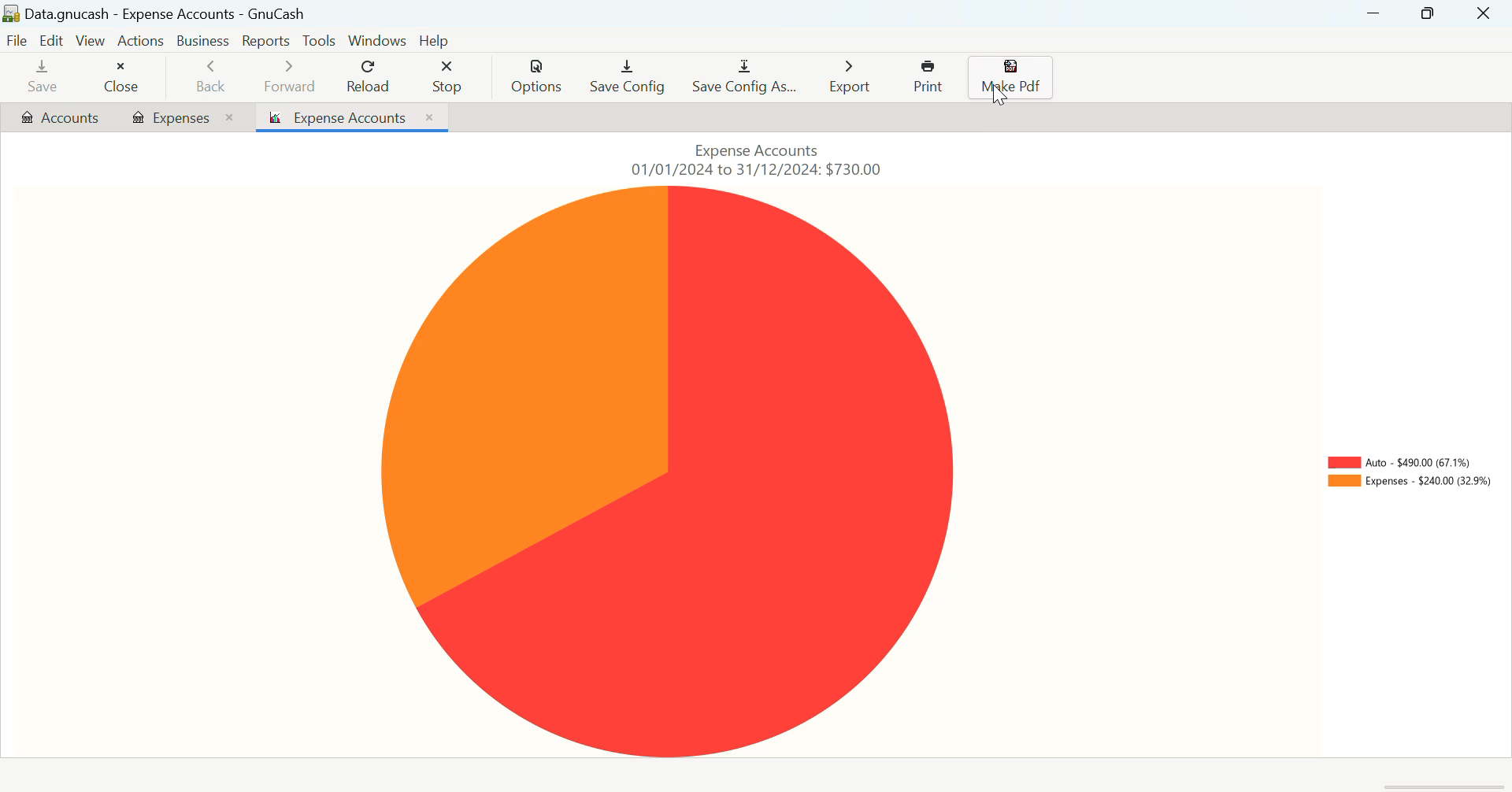 This screenshot has width=1512, height=792. What do you see at coordinates (205, 41) in the screenshot?
I see `Business` at bounding box center [205, 41].